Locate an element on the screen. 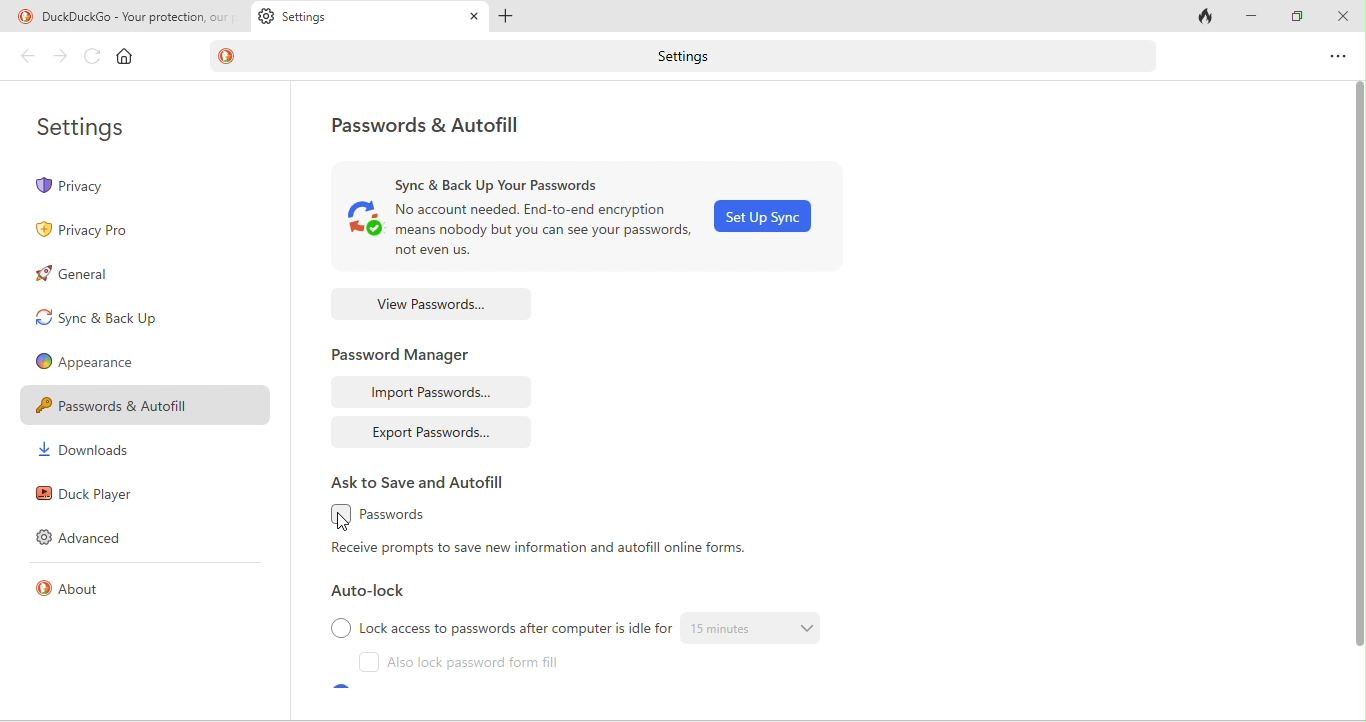 This screenshot has width=1366, height=722. privacy pro is located at coordinates (82, 232).